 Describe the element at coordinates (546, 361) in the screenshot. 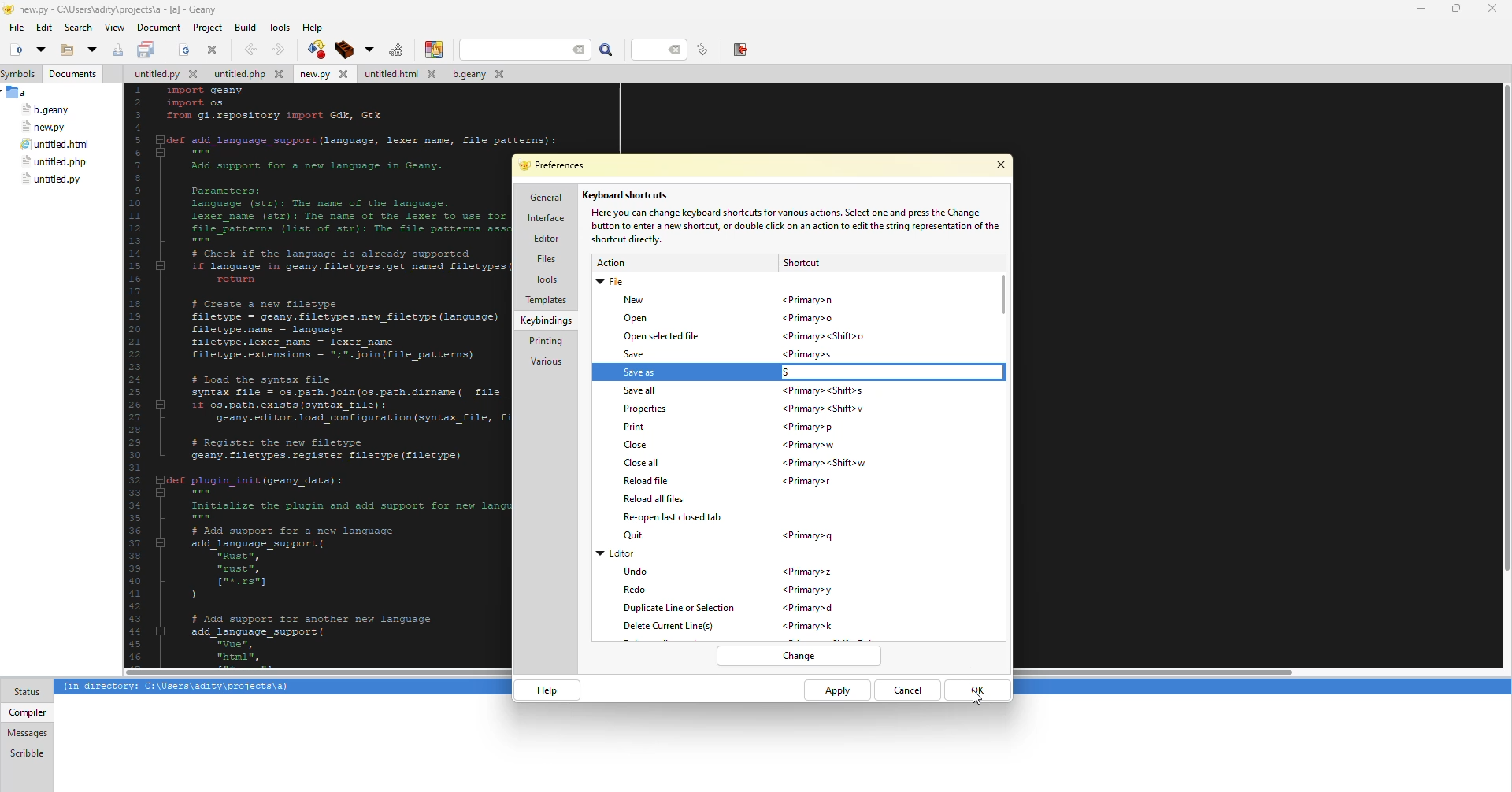

I see `various` at that location.